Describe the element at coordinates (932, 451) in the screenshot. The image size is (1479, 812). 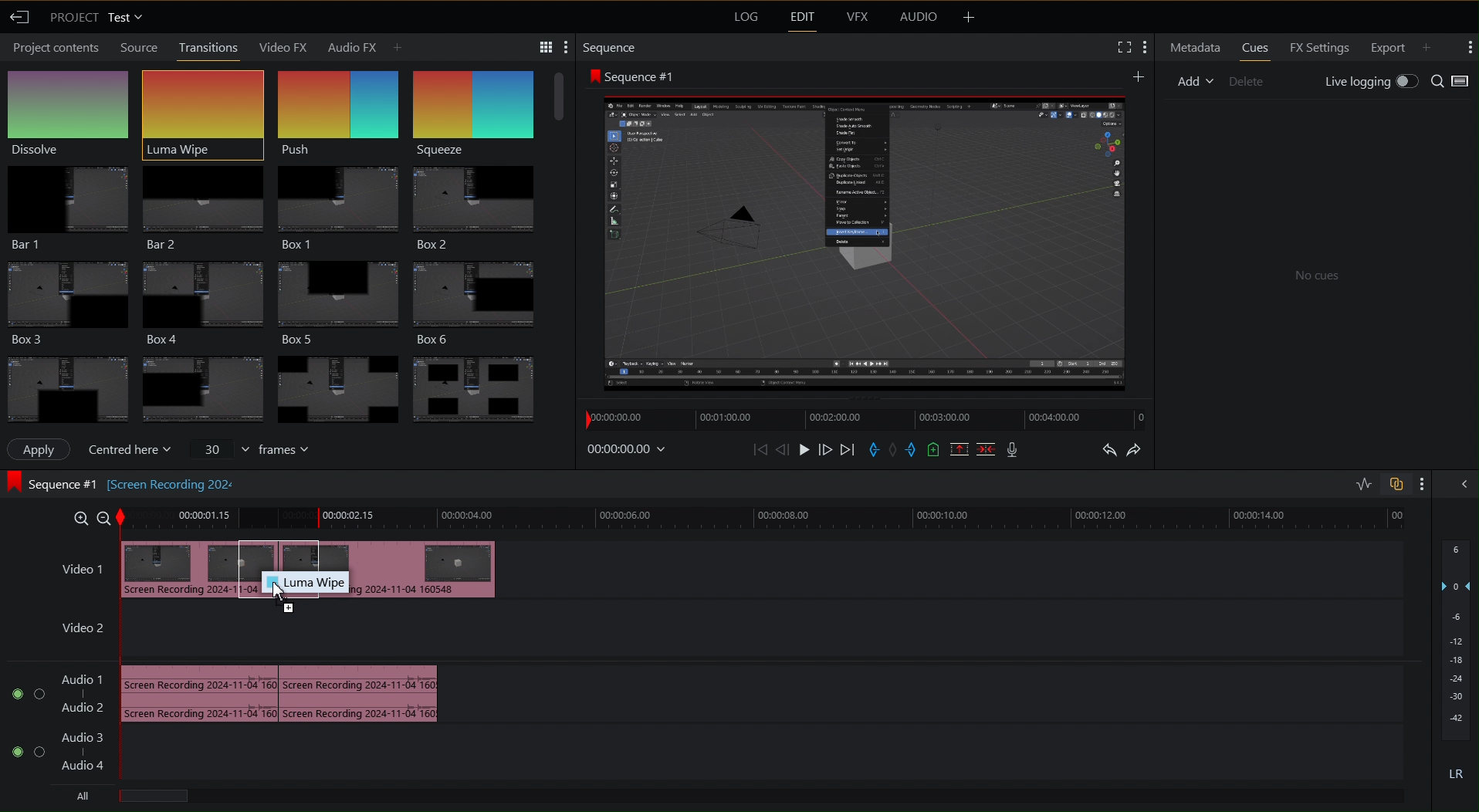
I see `Add Cue` at that location.